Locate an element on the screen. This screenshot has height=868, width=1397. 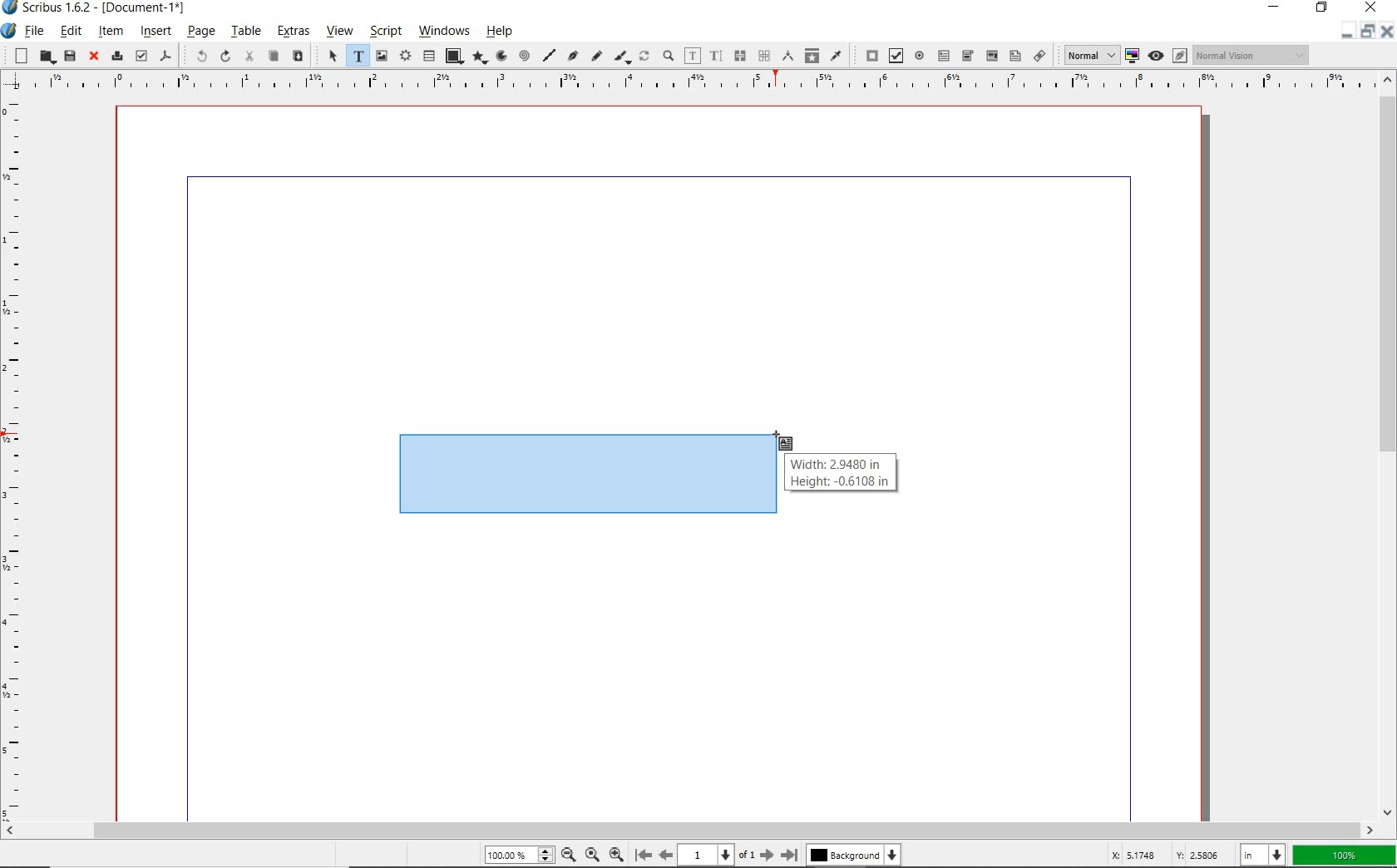
Cursor is located at coordinates (784, 442).